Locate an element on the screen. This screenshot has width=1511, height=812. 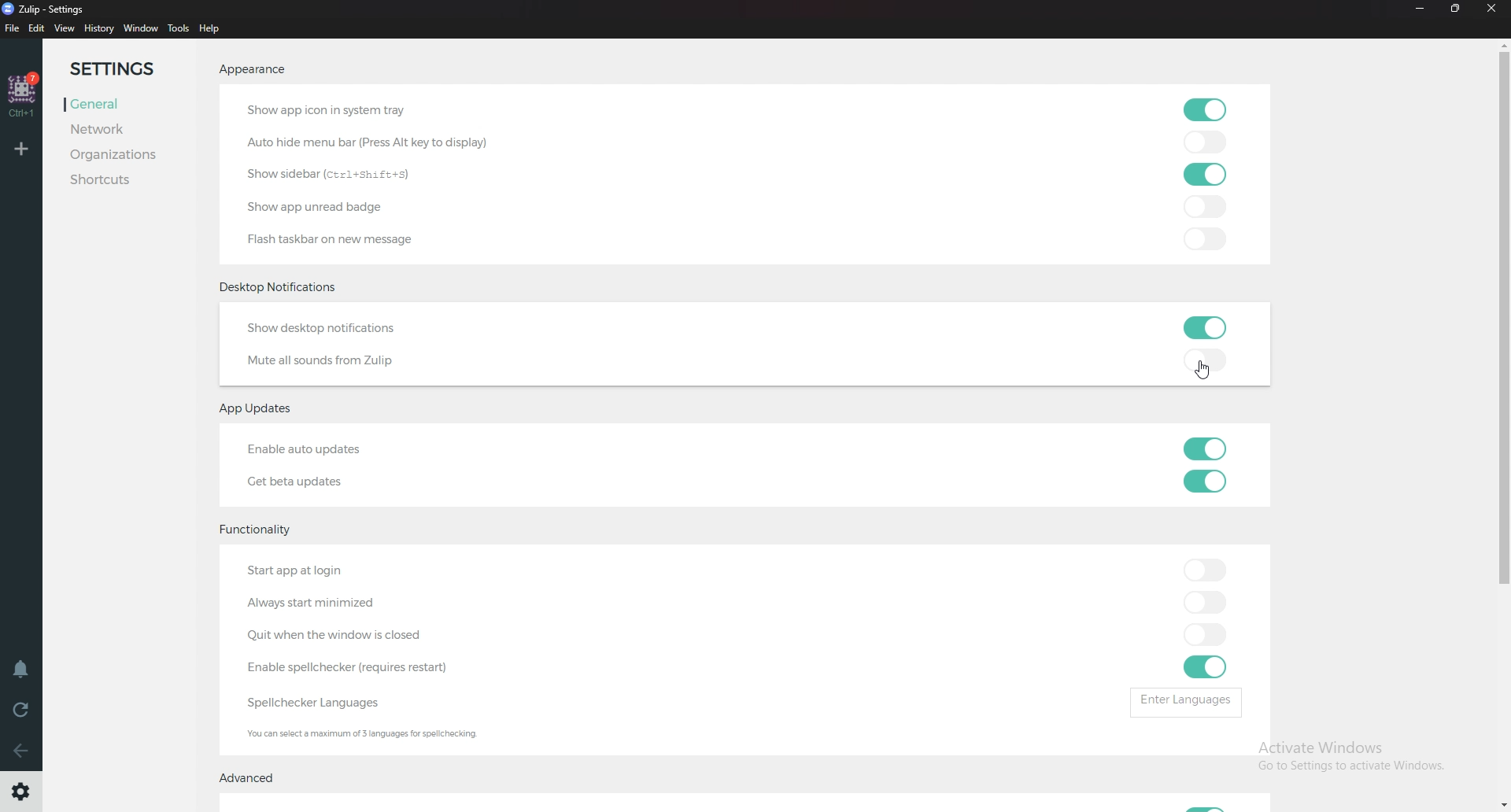
Show desktop notifications is located at coordinates (330, 328).